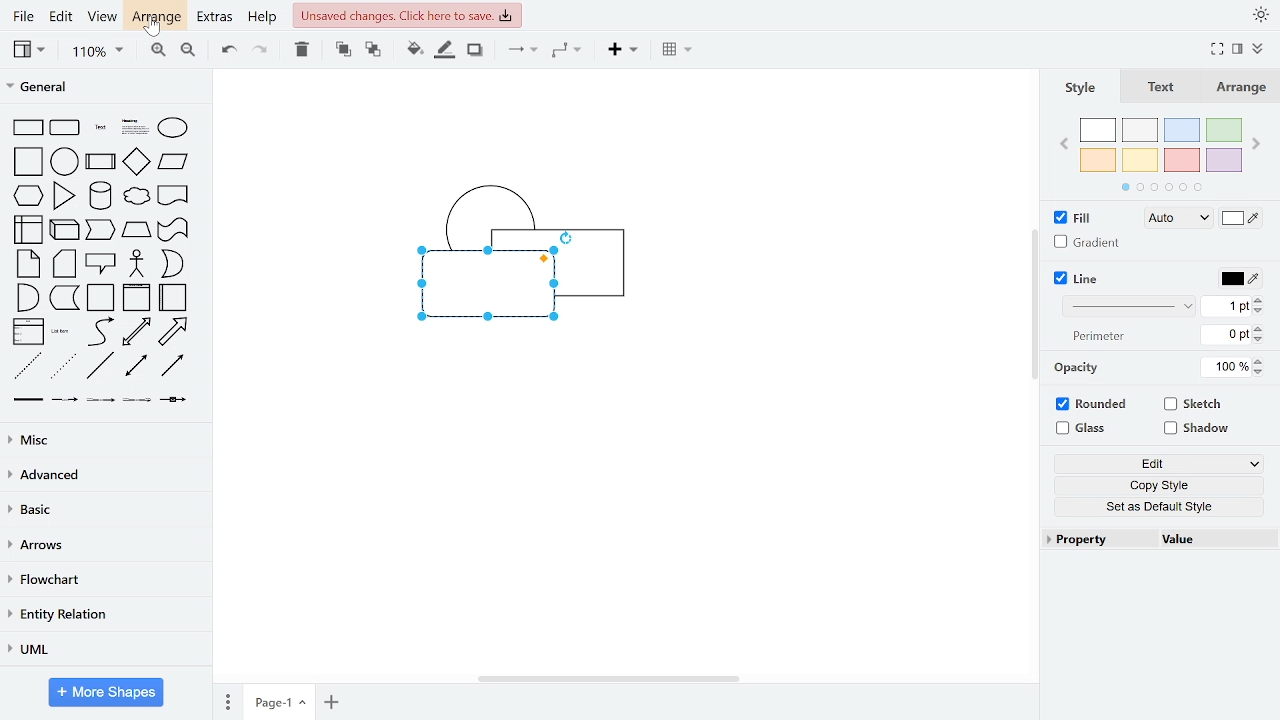  What do you see at coordinates (106, 509) in the screenshot?
I see `basic` at bounding box center [106, 509].